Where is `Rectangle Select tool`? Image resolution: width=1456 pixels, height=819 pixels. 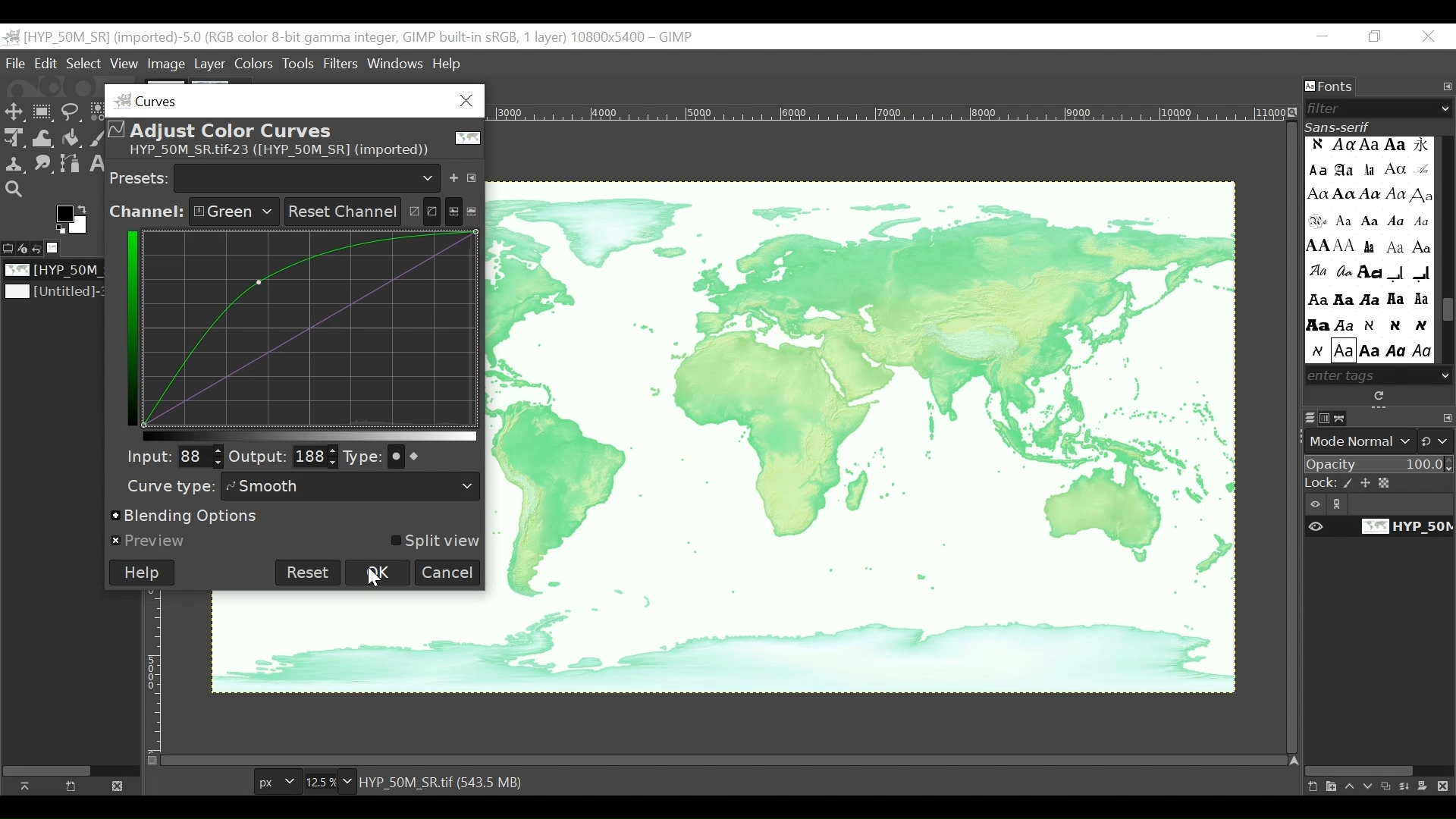
Rectangle Select tool is located at coordinates (43, 113).